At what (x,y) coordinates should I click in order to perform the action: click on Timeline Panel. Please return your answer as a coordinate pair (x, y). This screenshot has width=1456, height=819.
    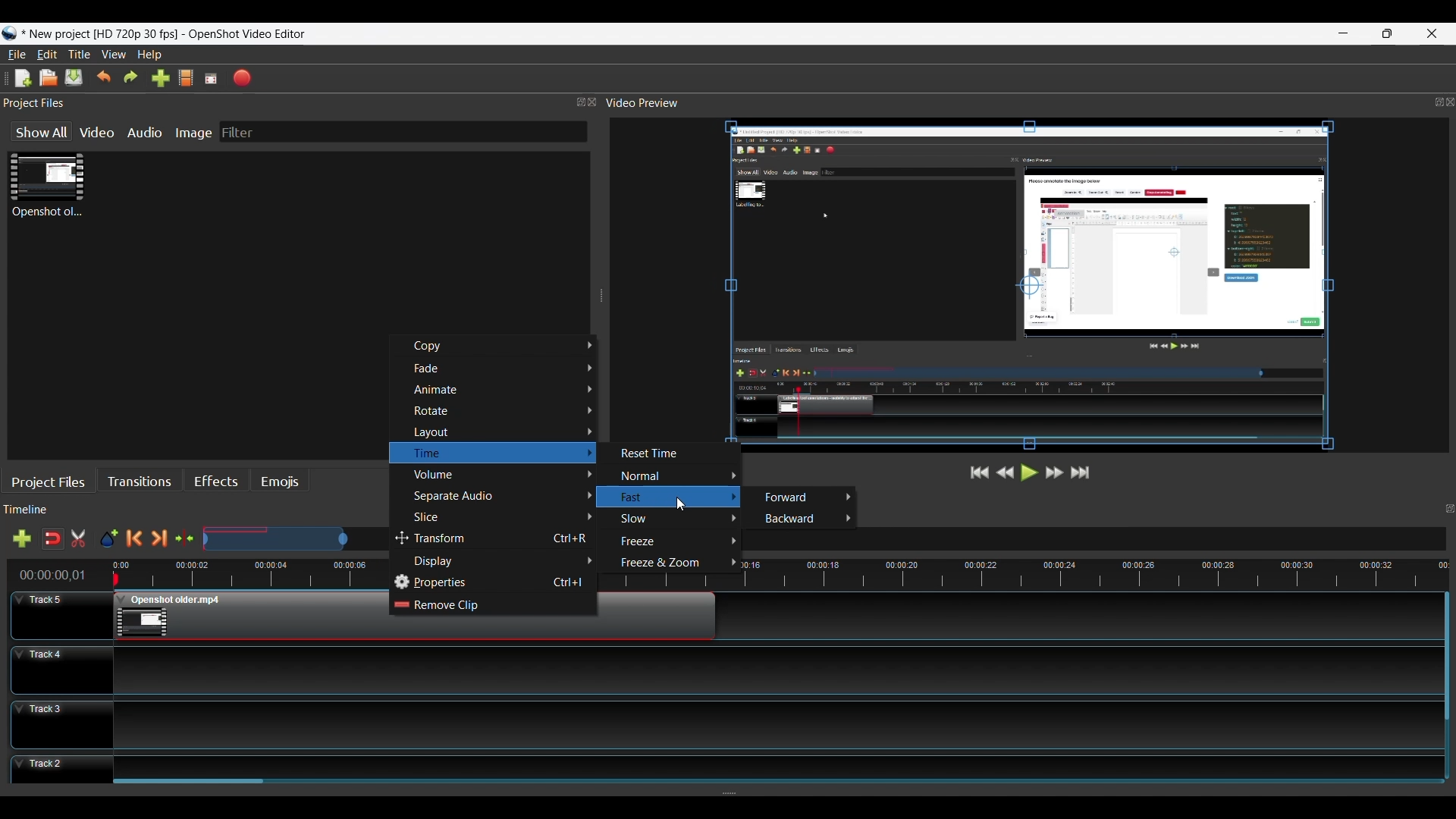
    Looking at the image, I should click on (199, 511).